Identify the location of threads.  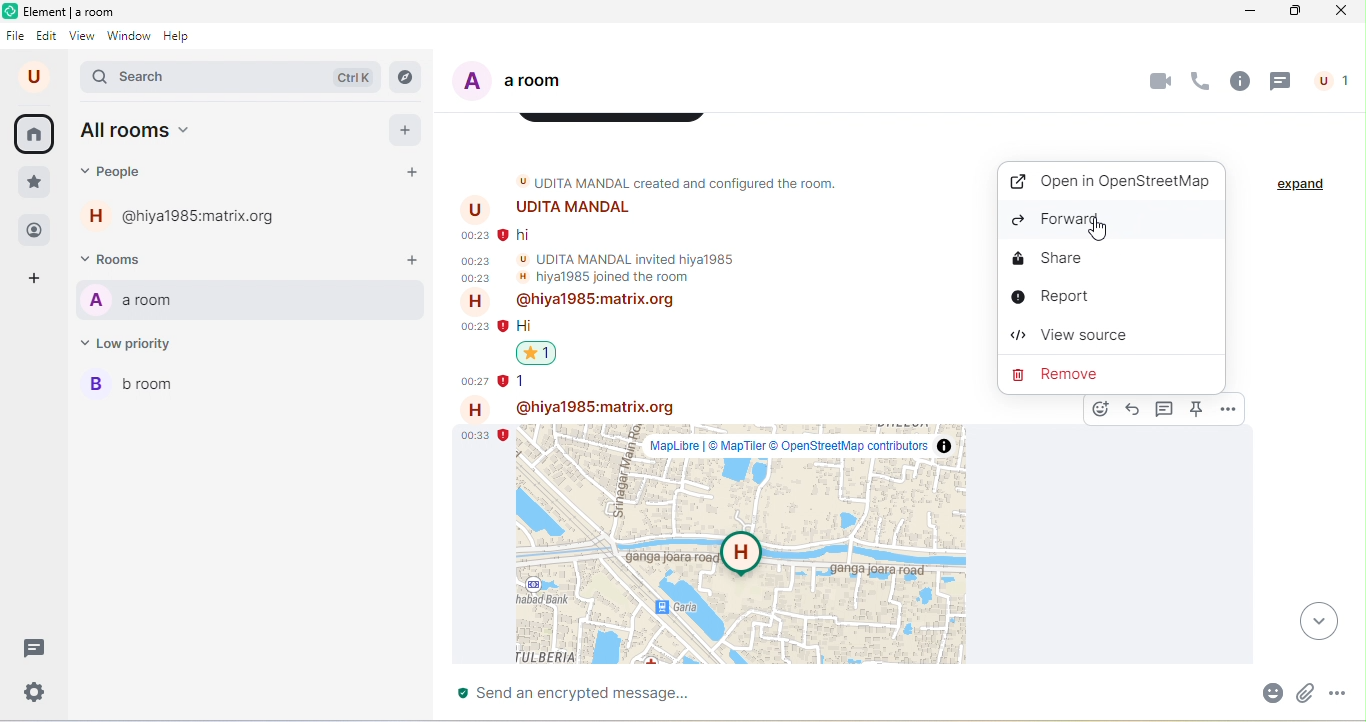
(35, 649).